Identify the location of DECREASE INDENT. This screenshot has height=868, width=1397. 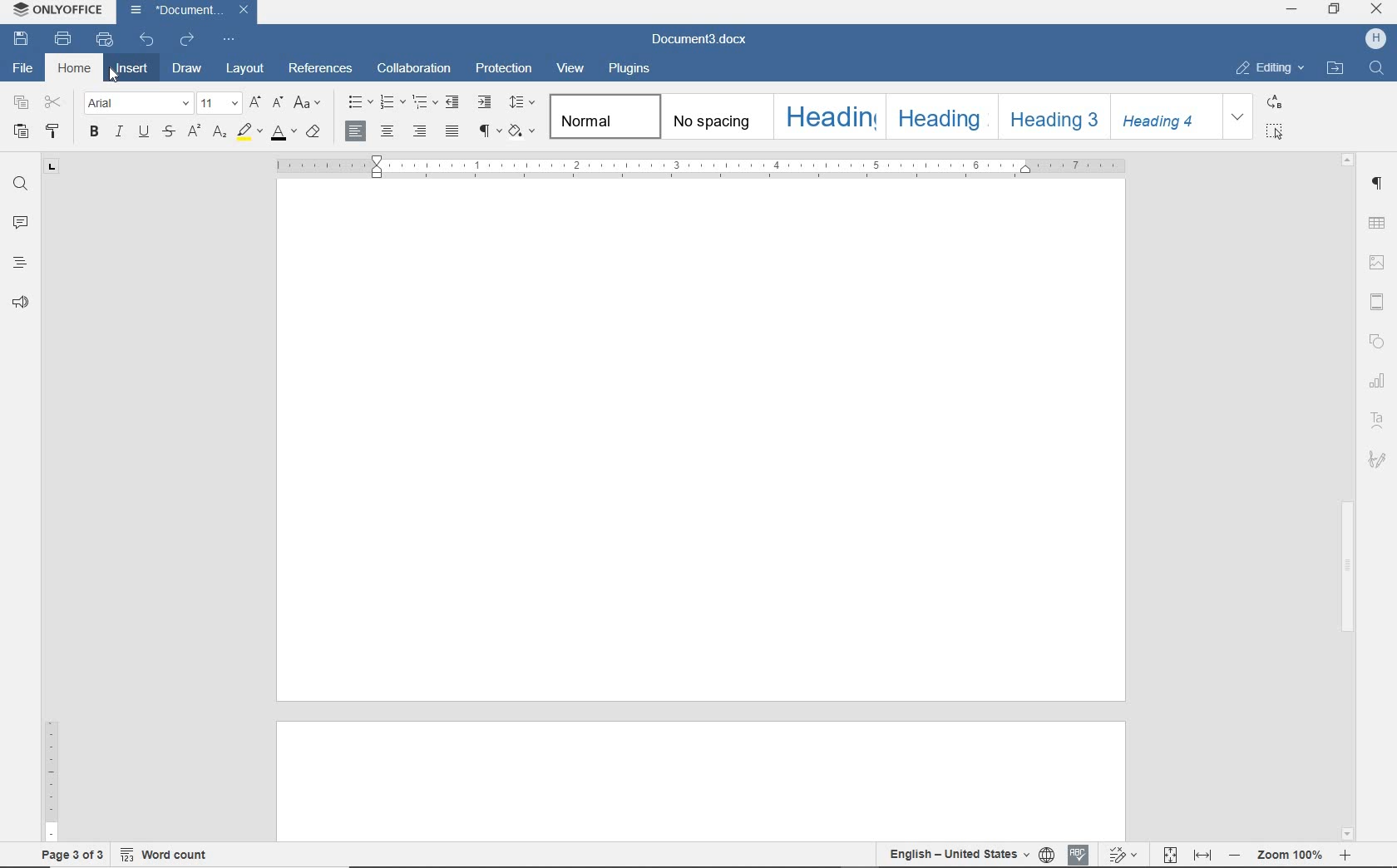
(452, 104).